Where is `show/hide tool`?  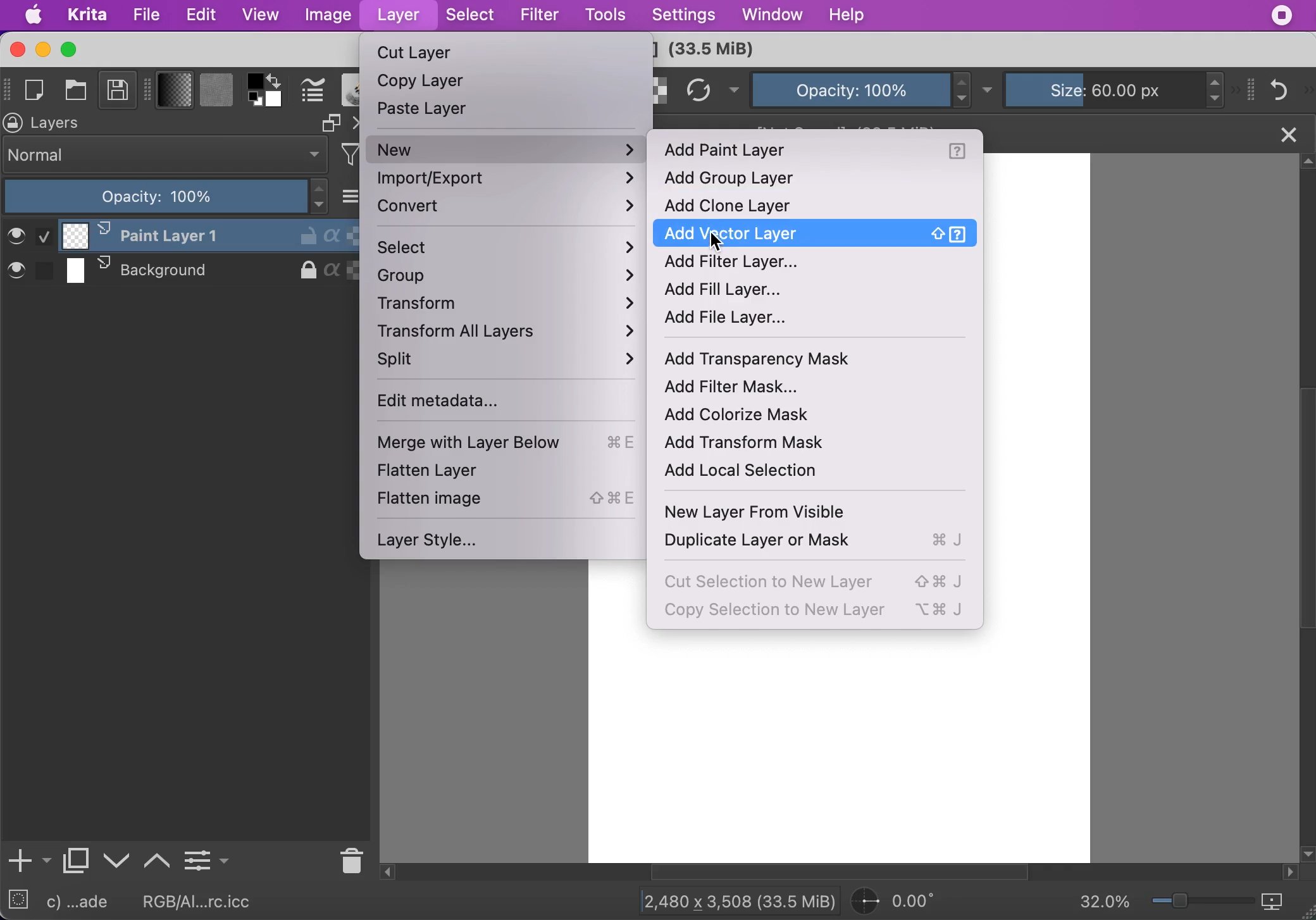
show/hide tool is located at coordinates (150, 88).